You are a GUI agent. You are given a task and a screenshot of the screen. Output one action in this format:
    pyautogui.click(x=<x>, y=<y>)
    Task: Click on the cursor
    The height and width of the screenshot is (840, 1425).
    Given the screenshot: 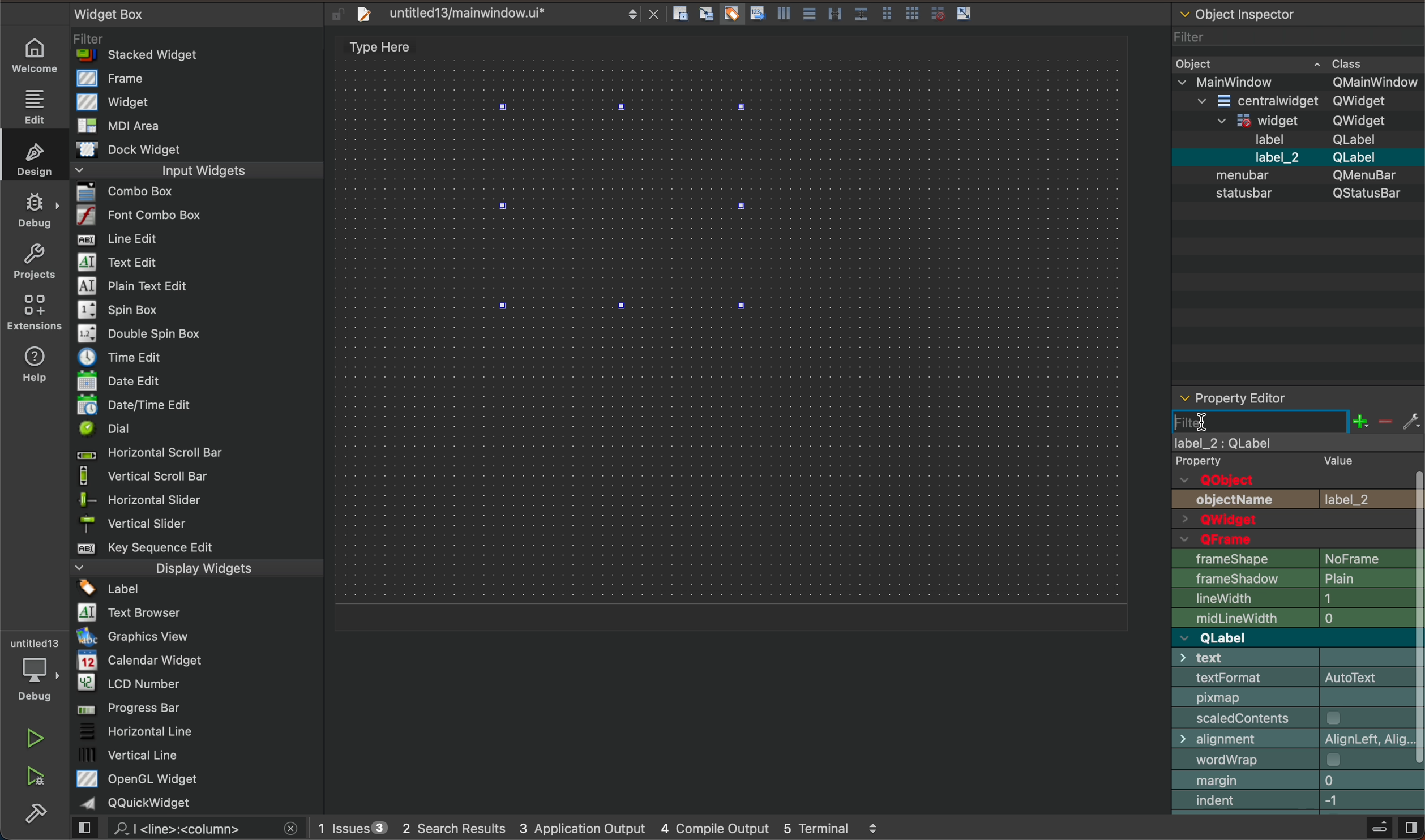 What is the action you would take?
    pyautogui.click(x=1208, y=422)
    